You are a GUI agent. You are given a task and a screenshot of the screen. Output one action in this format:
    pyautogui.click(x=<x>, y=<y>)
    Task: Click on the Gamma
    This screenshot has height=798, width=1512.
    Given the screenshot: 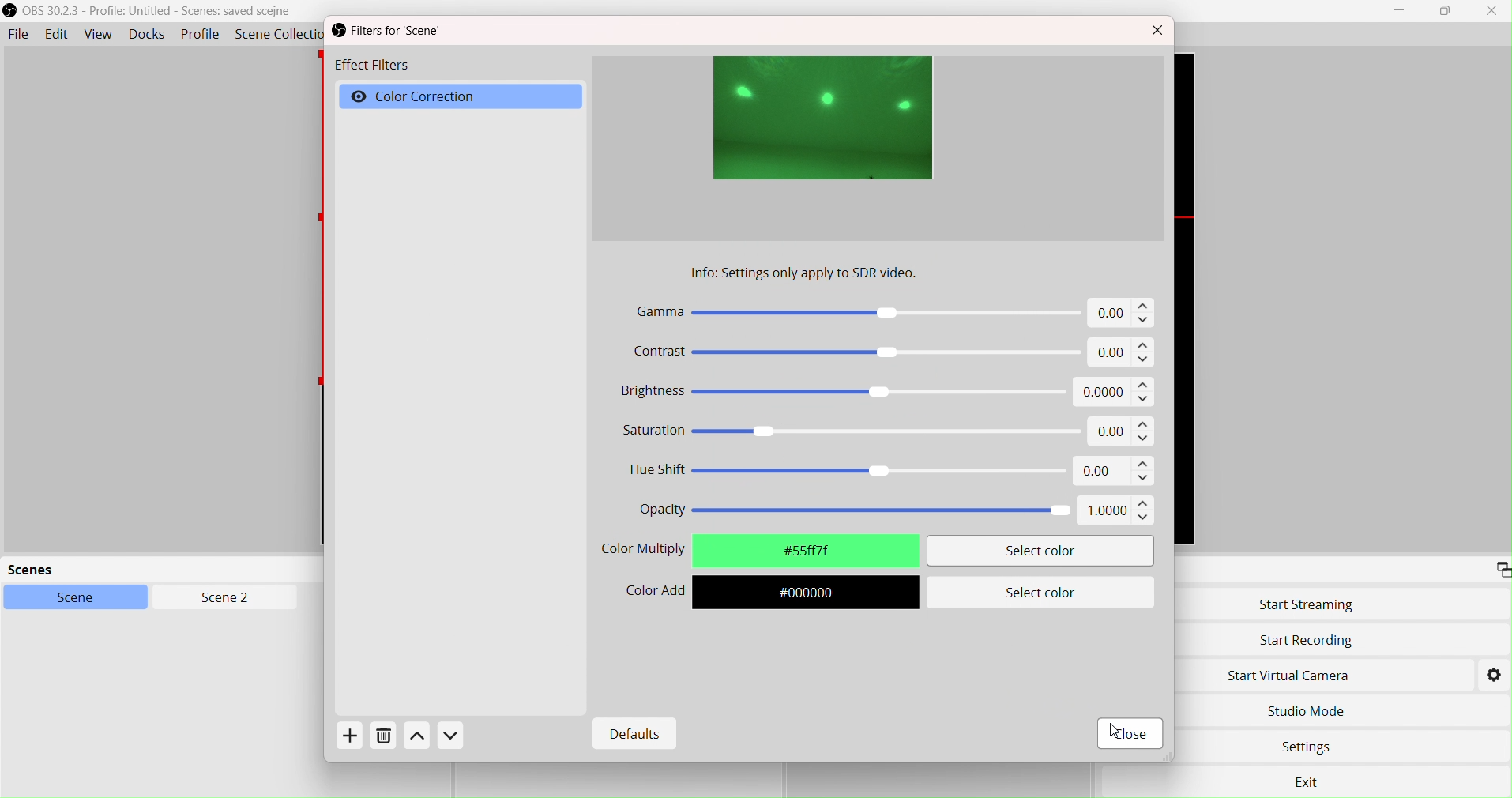 What is the action you would take?
    pyautogui.click(x=858, y=311)
    